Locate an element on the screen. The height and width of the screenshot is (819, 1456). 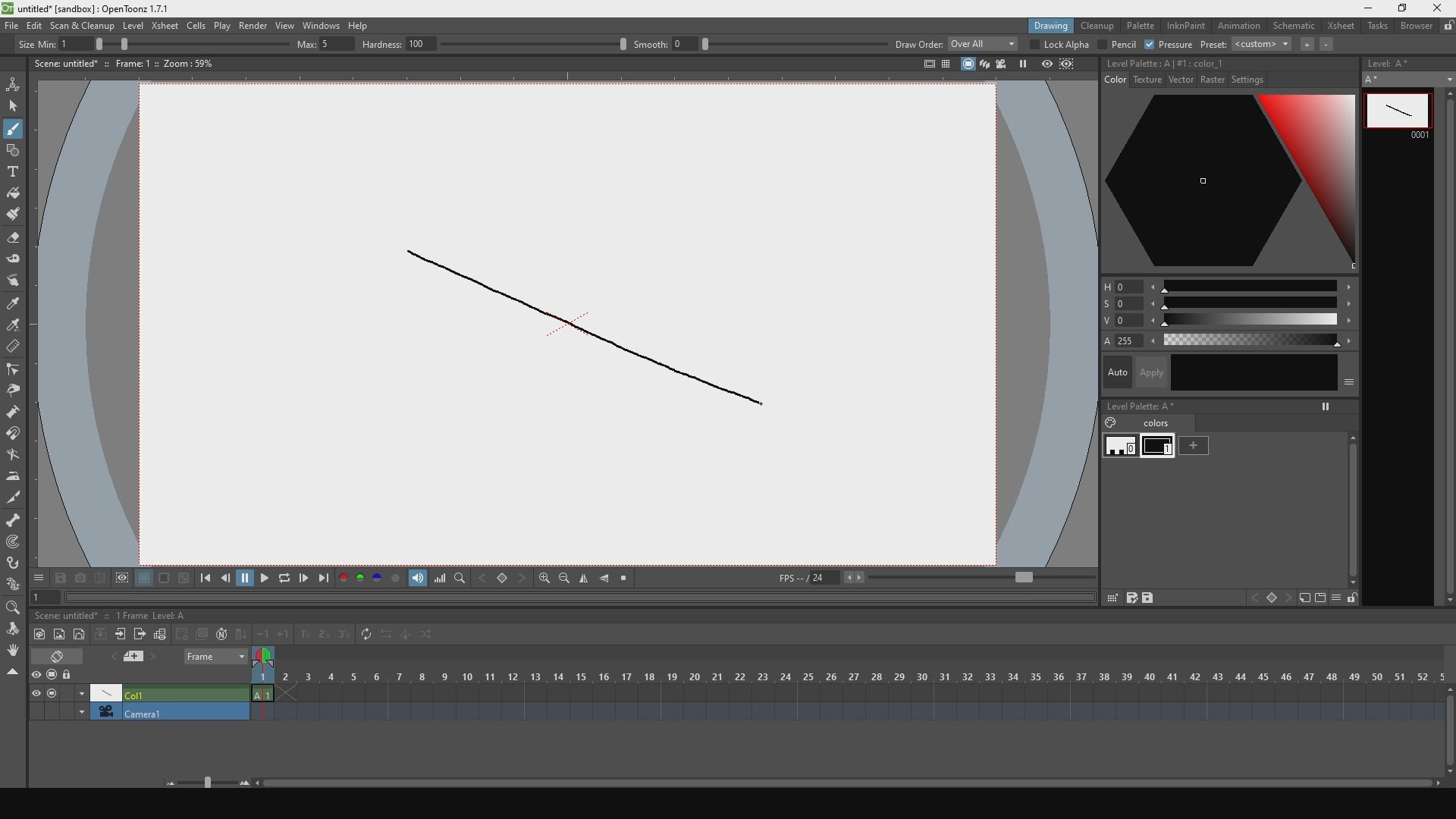
lock is located at coordinates (74, 673).